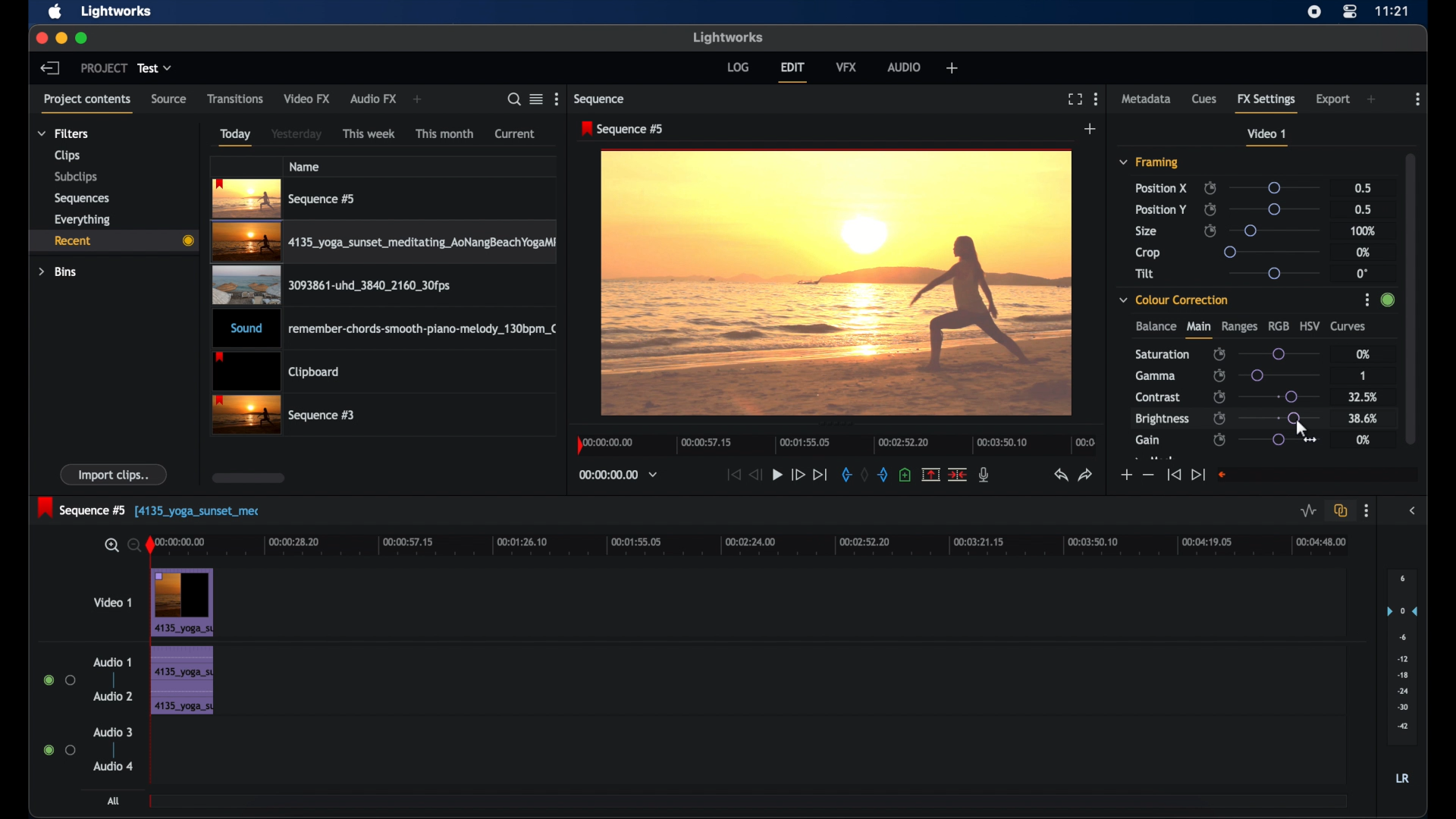 This screenshot has height=819, width=1456. Describe the element at coordinates (1363, 232) in the screenshot. I see `100%` at that location.